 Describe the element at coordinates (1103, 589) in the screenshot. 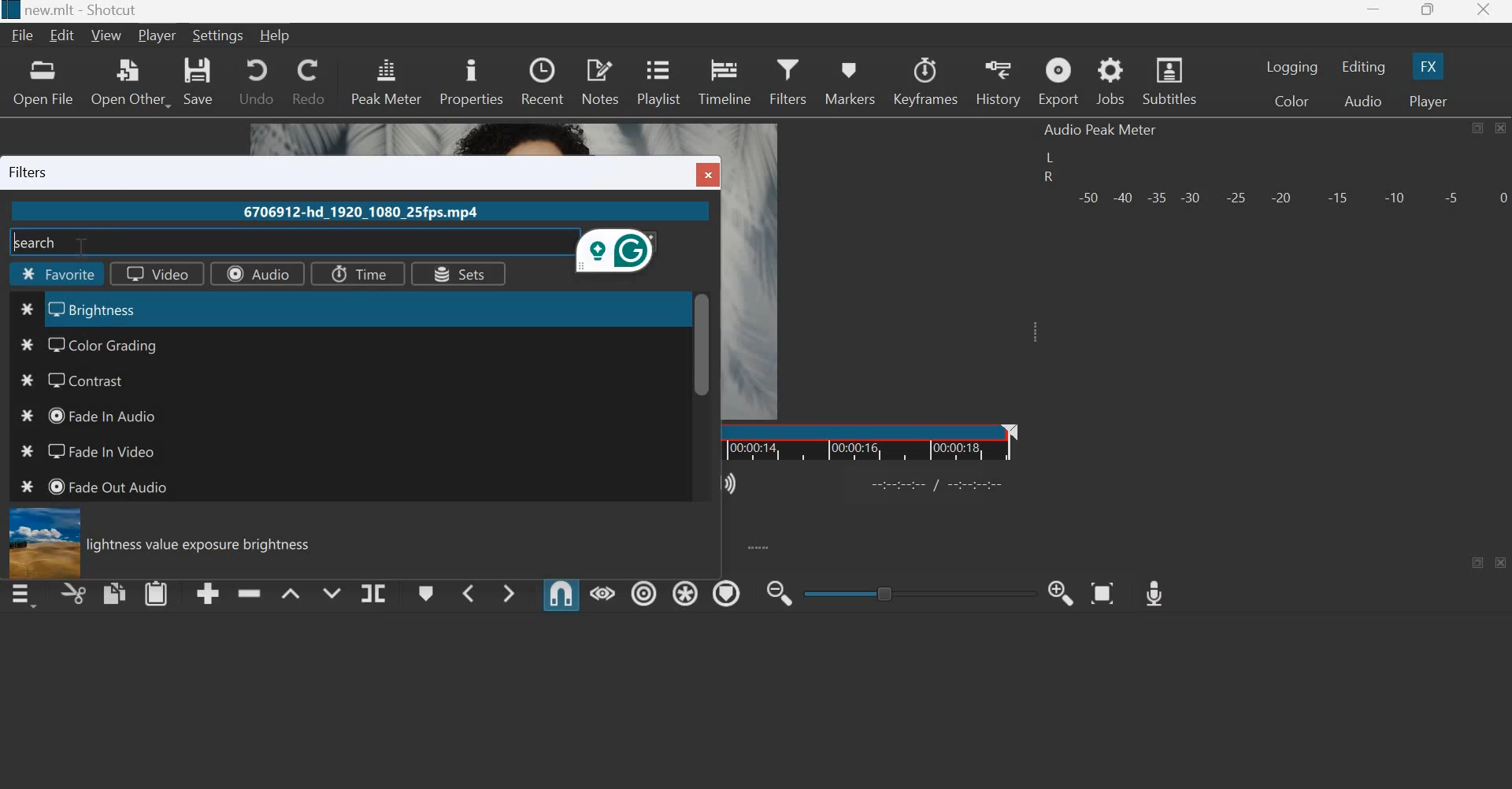

I see `Zoom Timeline to Fit` at that location.